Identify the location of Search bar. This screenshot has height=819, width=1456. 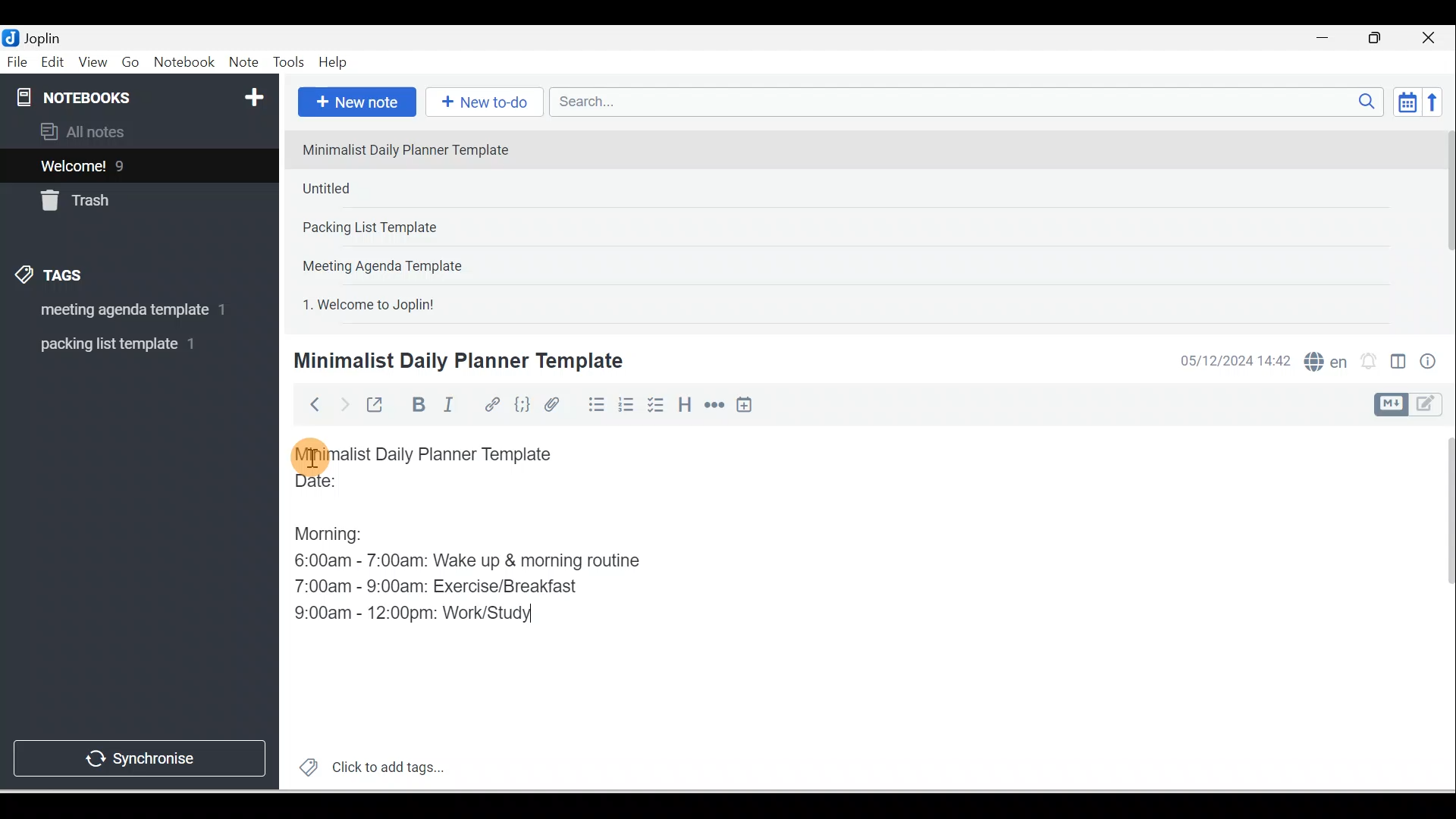
(971, 102).